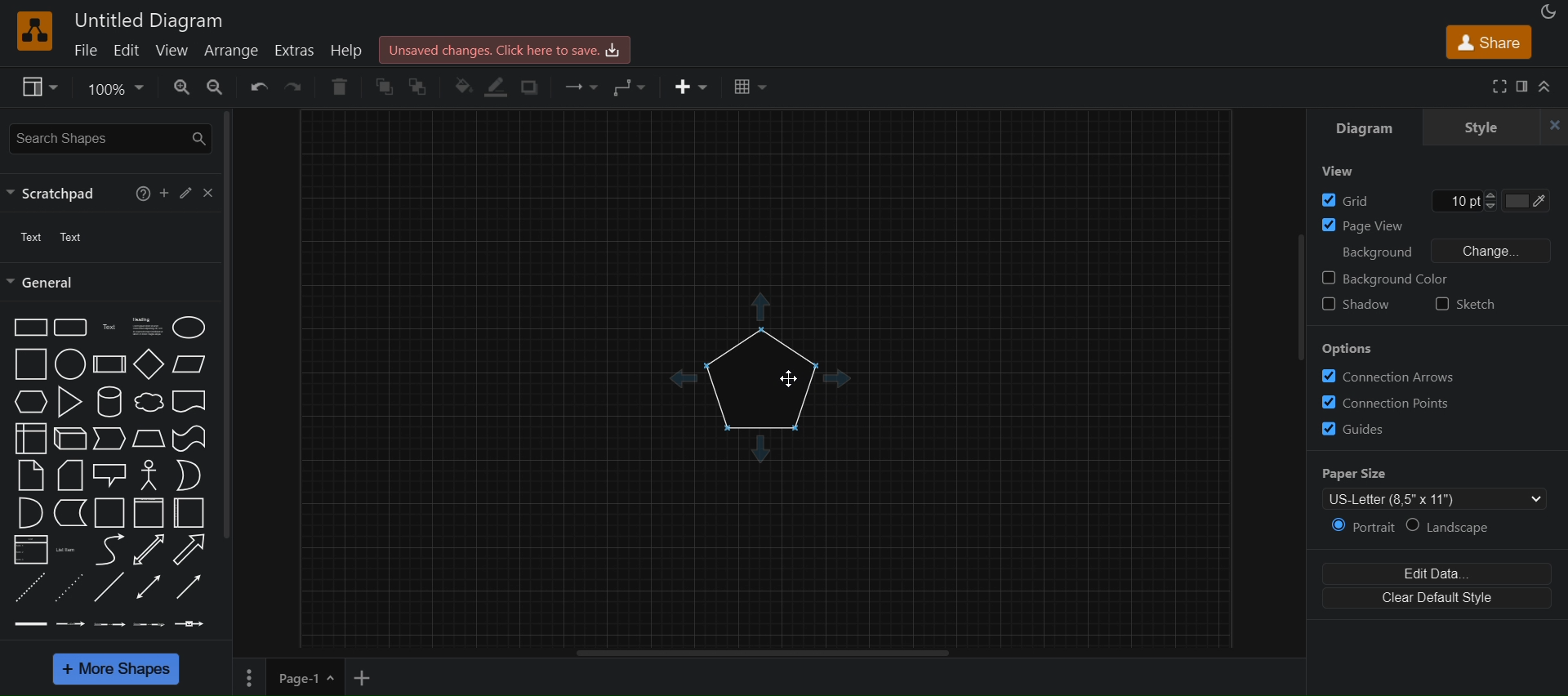  Describe the element at coordinates (1364, 127) in the screenshot. I see `diagram` at that location.